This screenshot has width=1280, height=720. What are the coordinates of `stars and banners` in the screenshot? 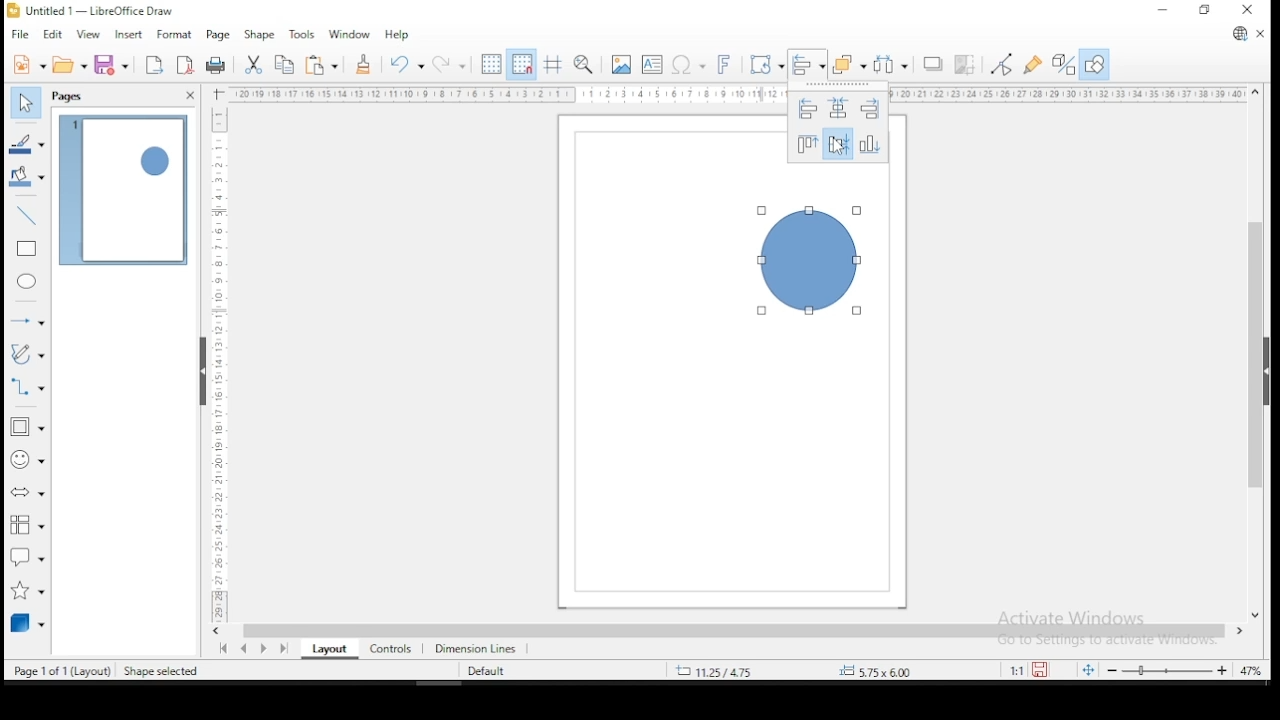 It's located at (29, 586).